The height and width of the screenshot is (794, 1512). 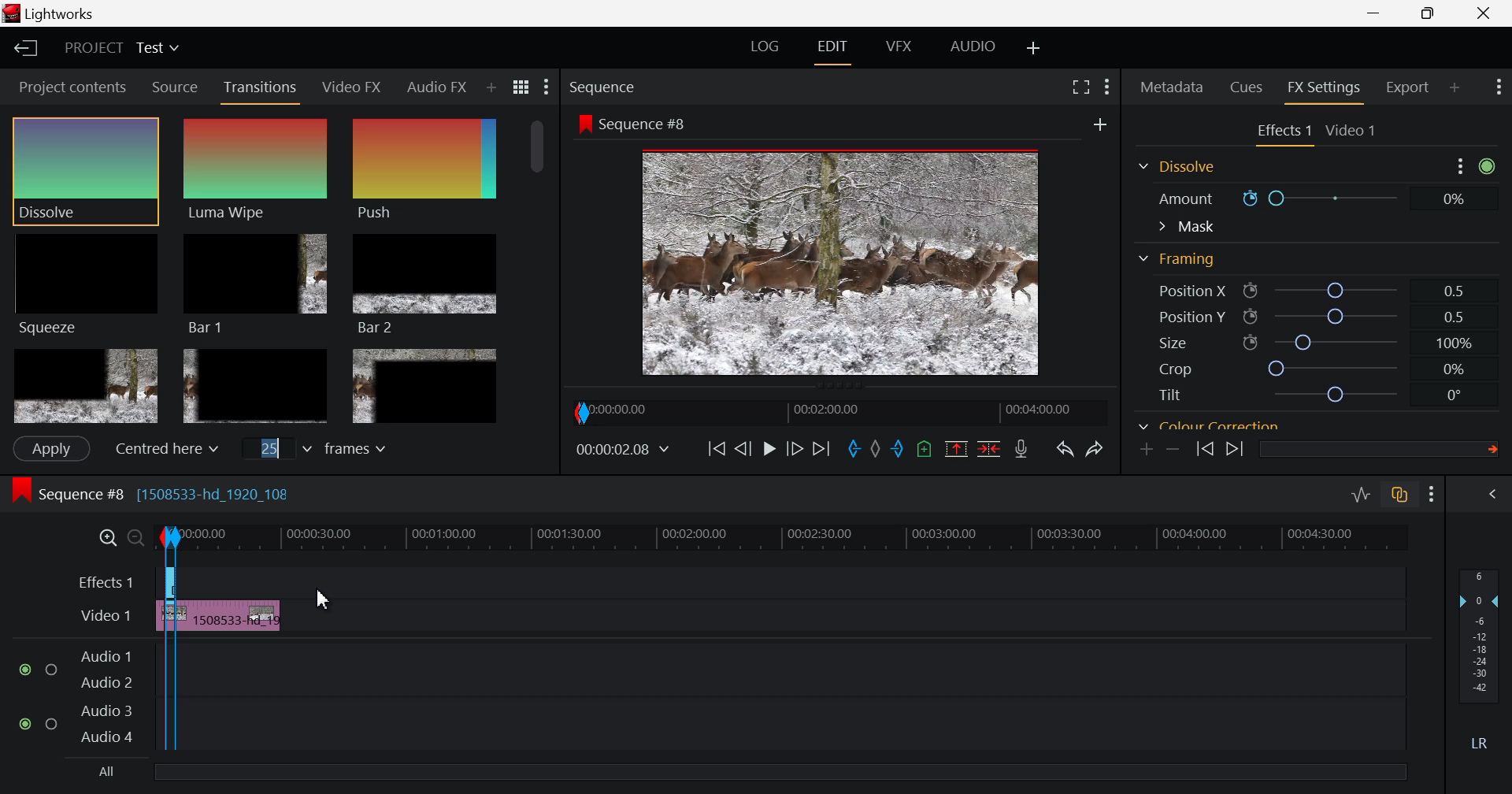 I want to click on Saturation, so click(x=1303, y=402).